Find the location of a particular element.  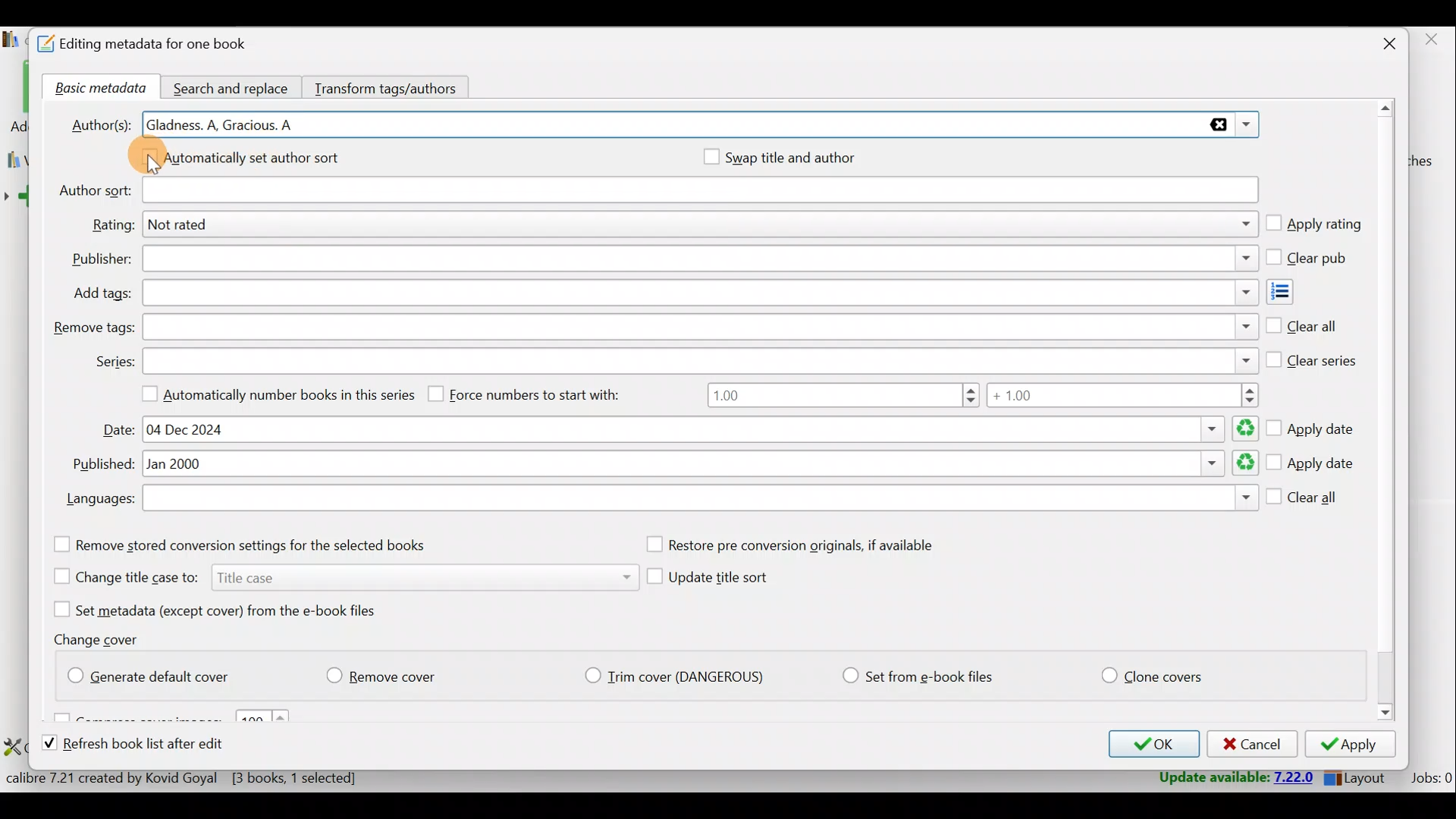

Rating is located at coordinates (703, 227).